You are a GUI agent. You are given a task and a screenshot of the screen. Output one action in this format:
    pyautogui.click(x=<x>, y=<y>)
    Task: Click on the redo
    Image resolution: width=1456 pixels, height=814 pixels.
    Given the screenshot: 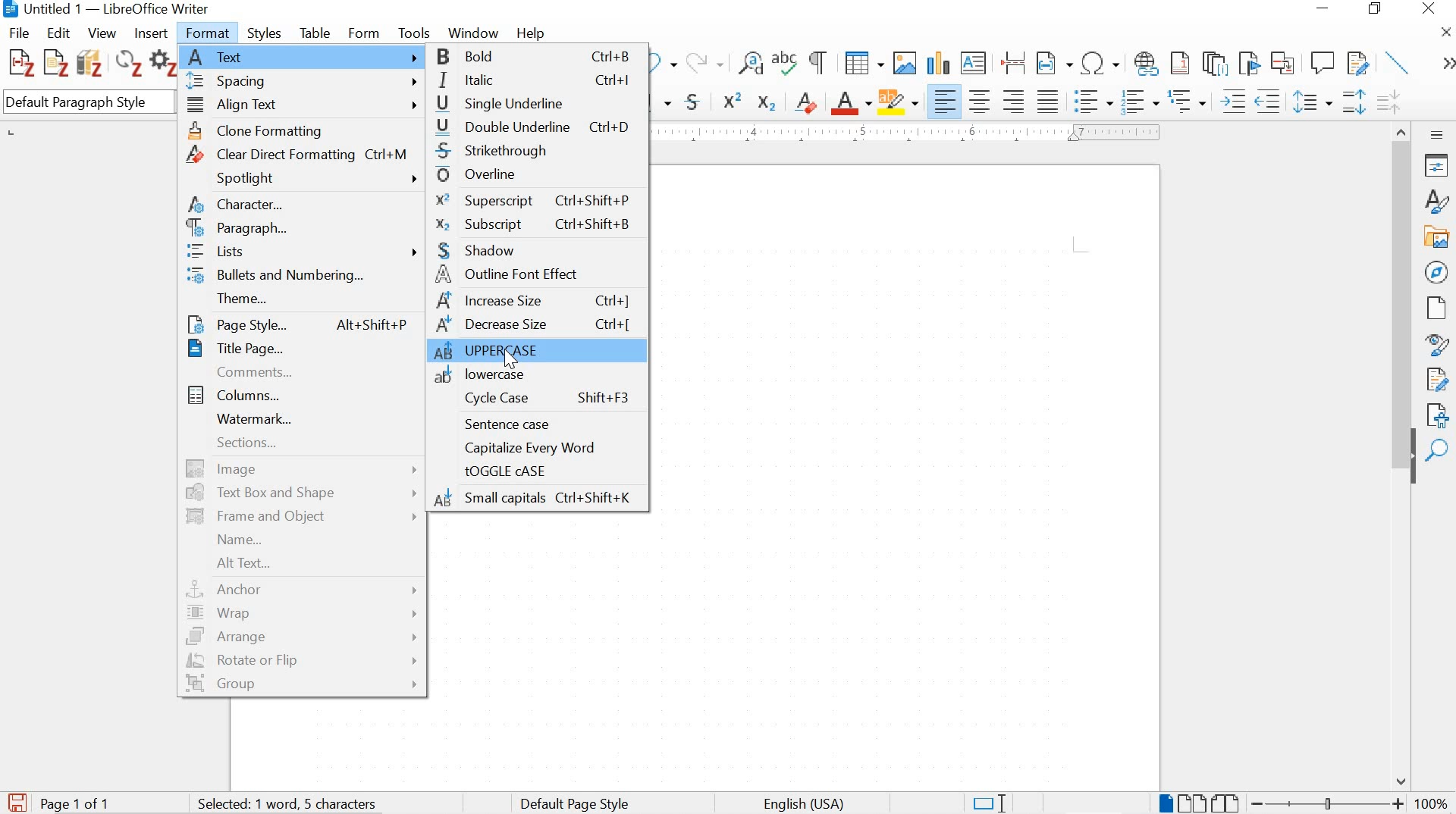 What is the action you would take?
    pyautogui.click(x=704, y=61)
    